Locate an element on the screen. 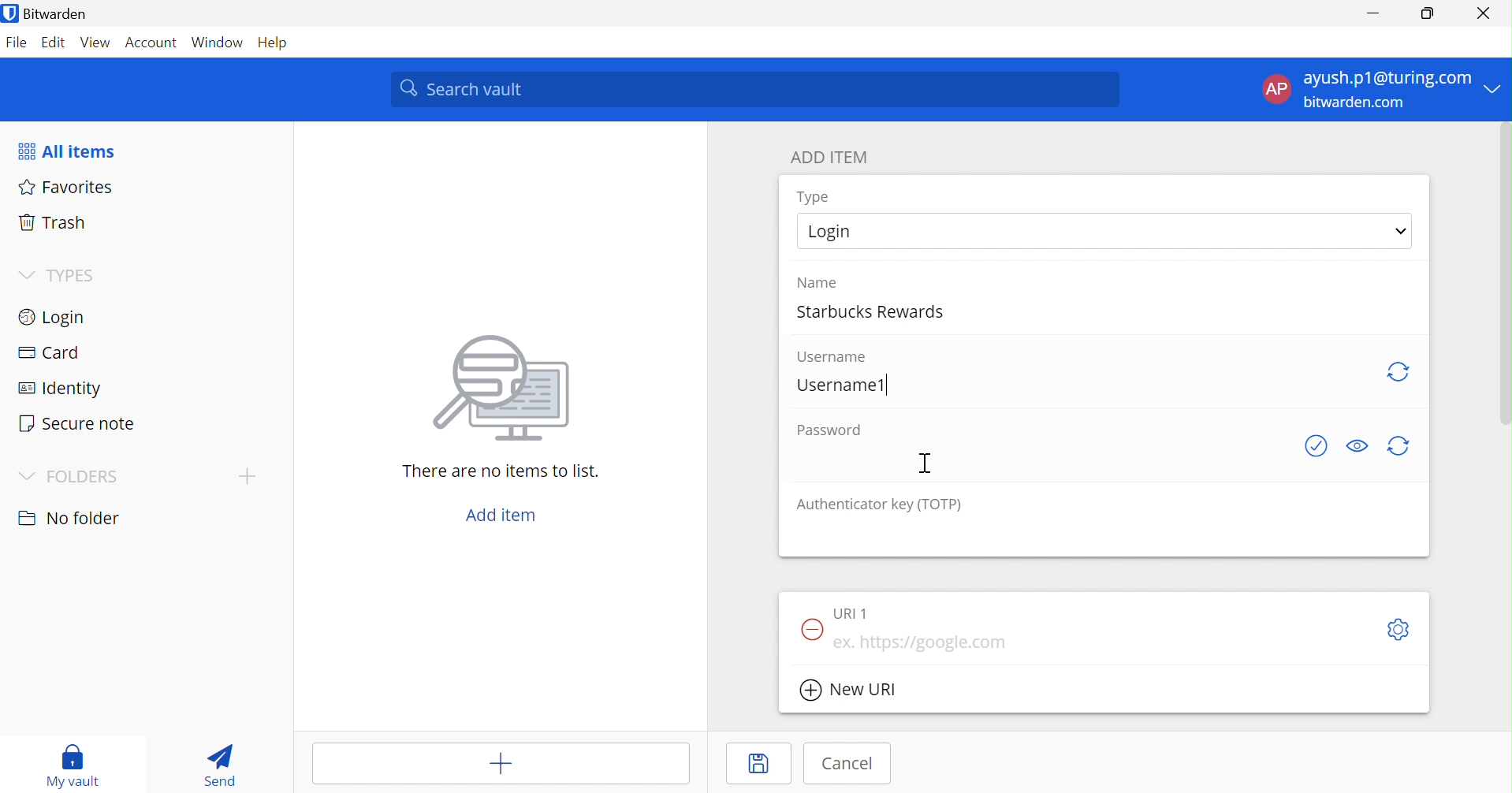 This screenshot has width=1512, height=793. Help is located at coordinates (279, 43).